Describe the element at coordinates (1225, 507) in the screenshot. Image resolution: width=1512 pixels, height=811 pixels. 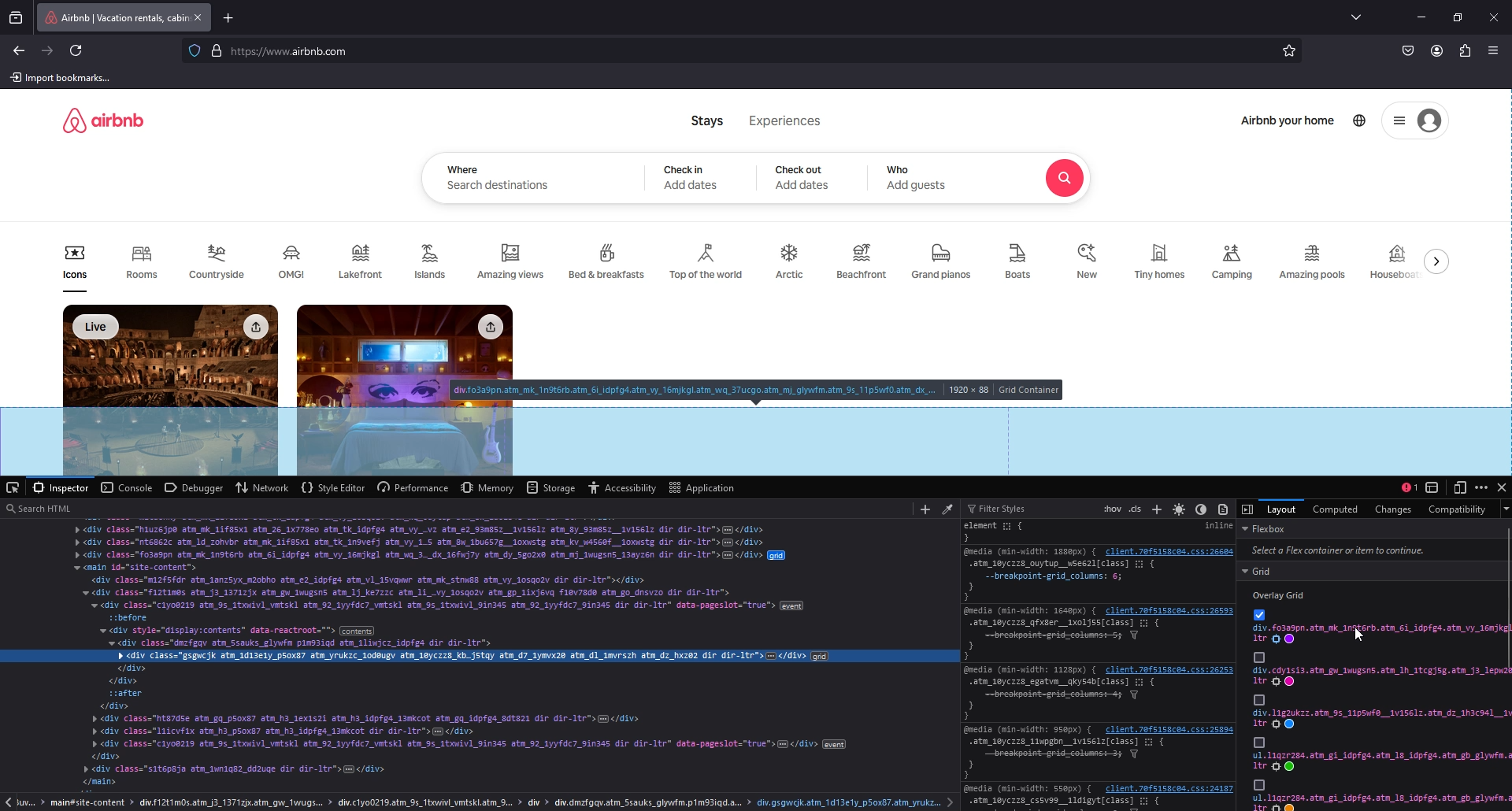
I see `toggle print media simulation` at that location.